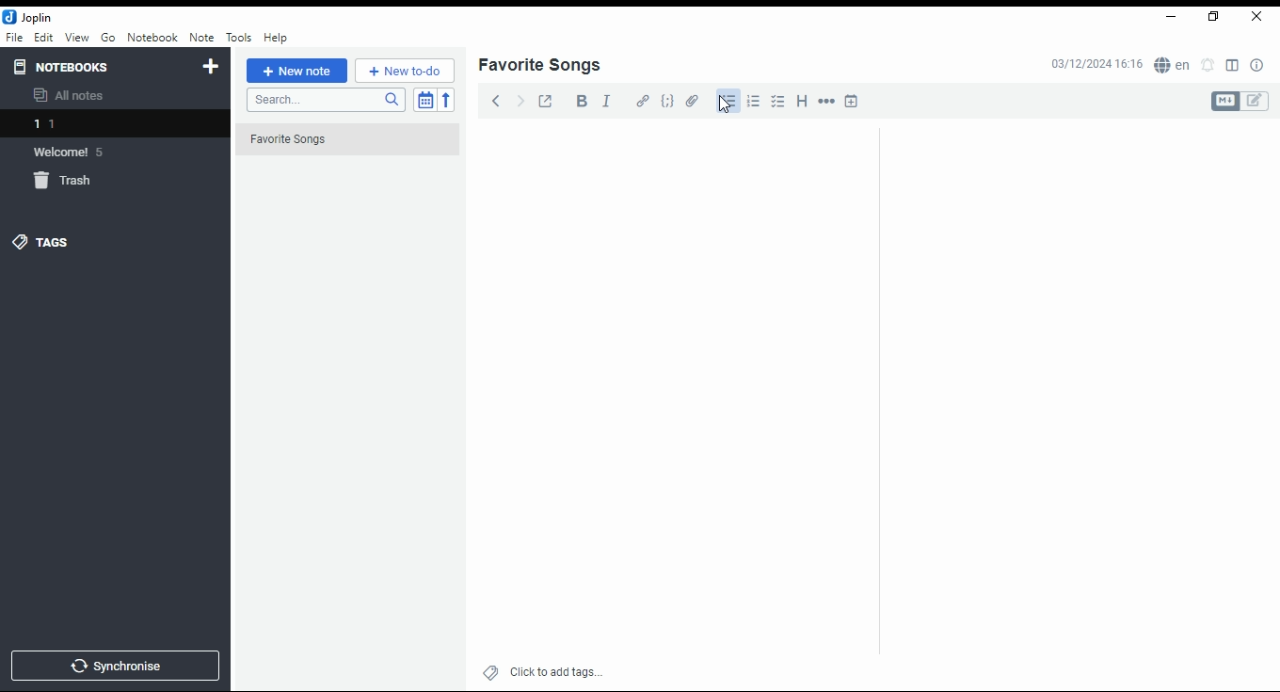 This screenshot has width=1280, height=692. Describe the element at coordinates (337, 140) in the screenshot. I see `Favorite Songs` at that location.